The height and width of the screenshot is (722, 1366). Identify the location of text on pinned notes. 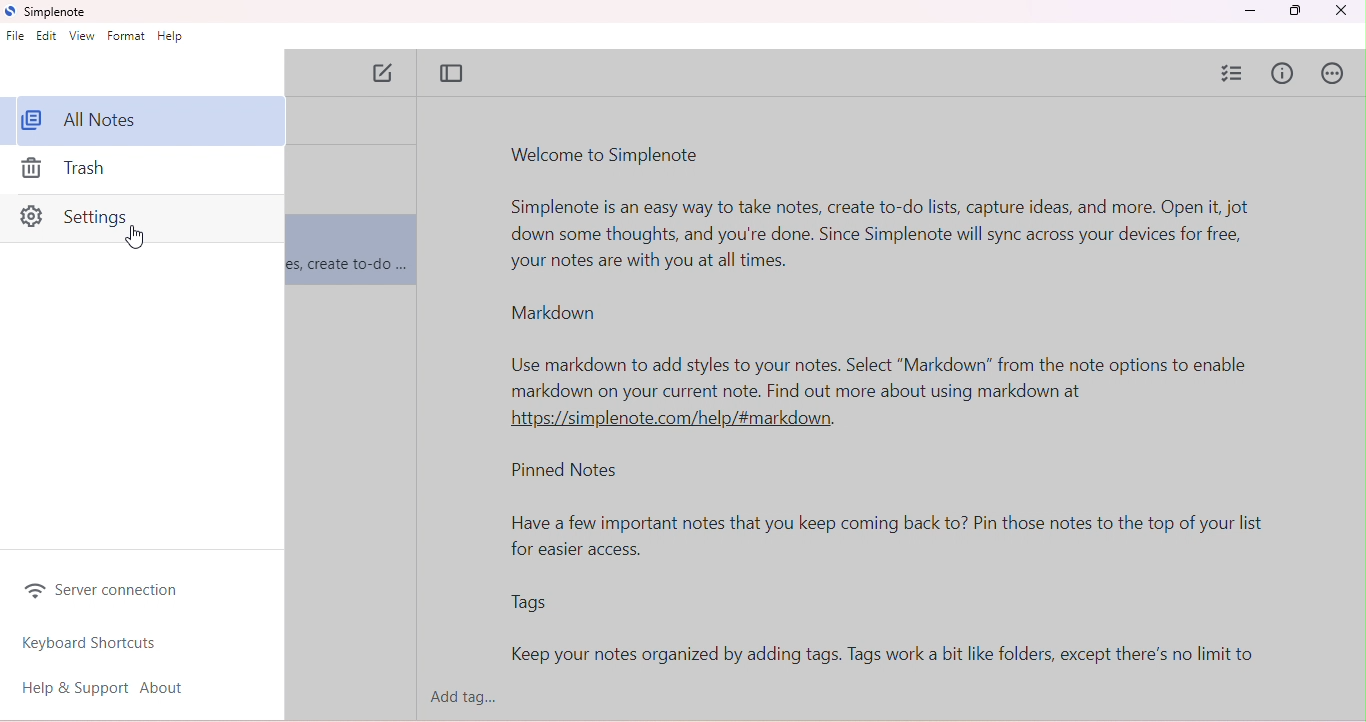
(898, 538).